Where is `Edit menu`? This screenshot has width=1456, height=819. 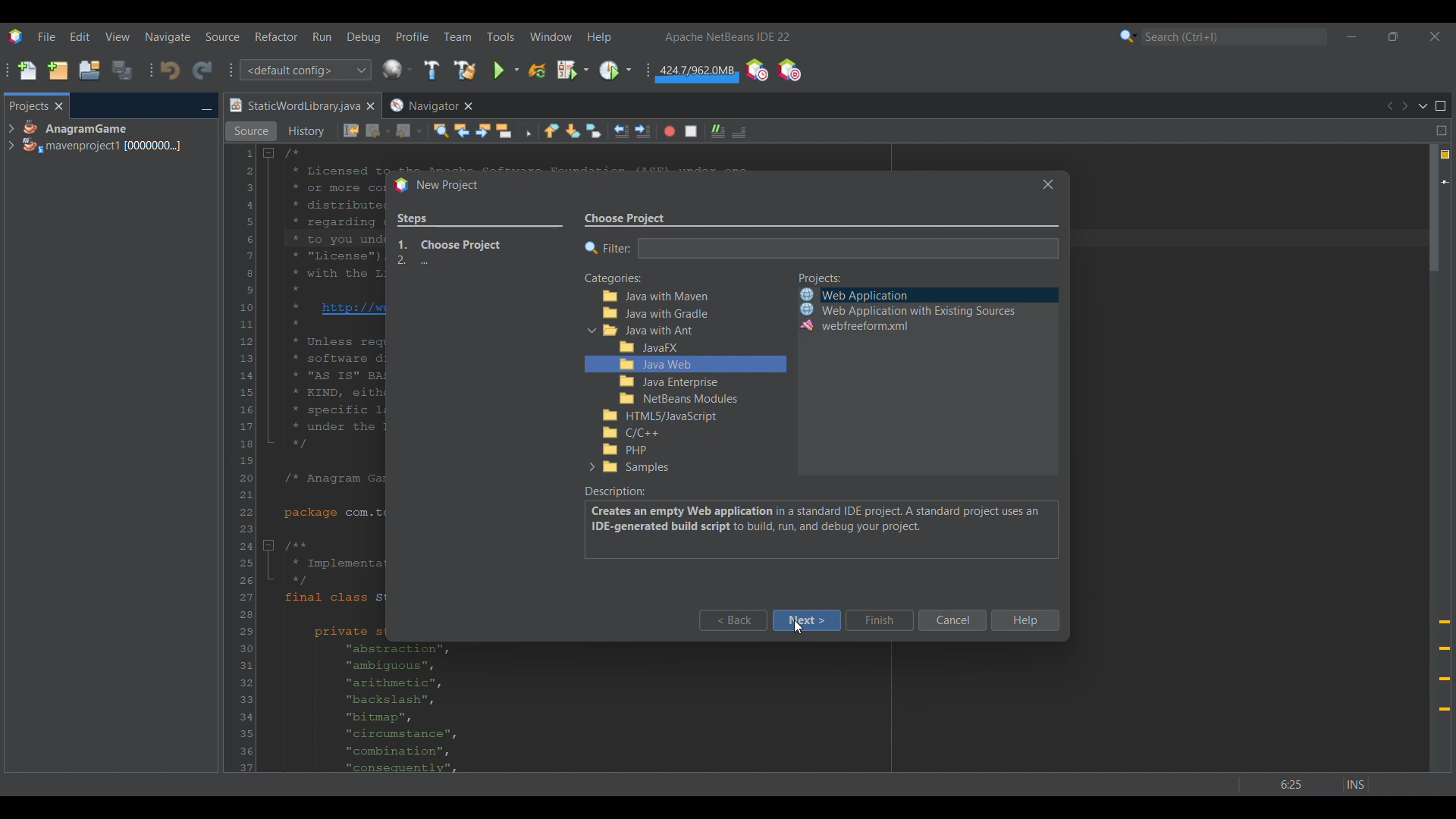
Edit menu is located at coordinates (80, 37).